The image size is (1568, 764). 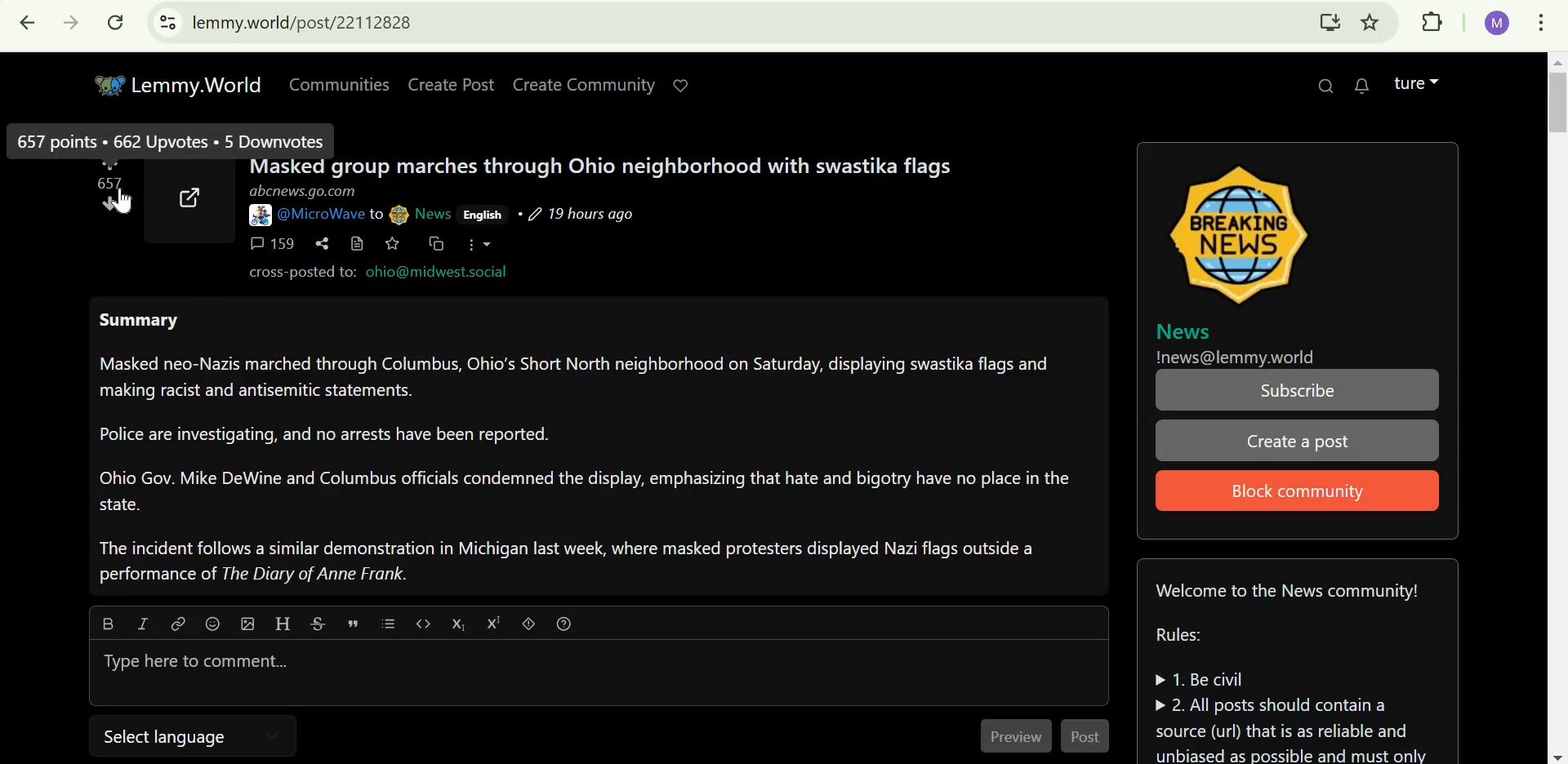 I want to click on Communities, so click(x=339, y=82).